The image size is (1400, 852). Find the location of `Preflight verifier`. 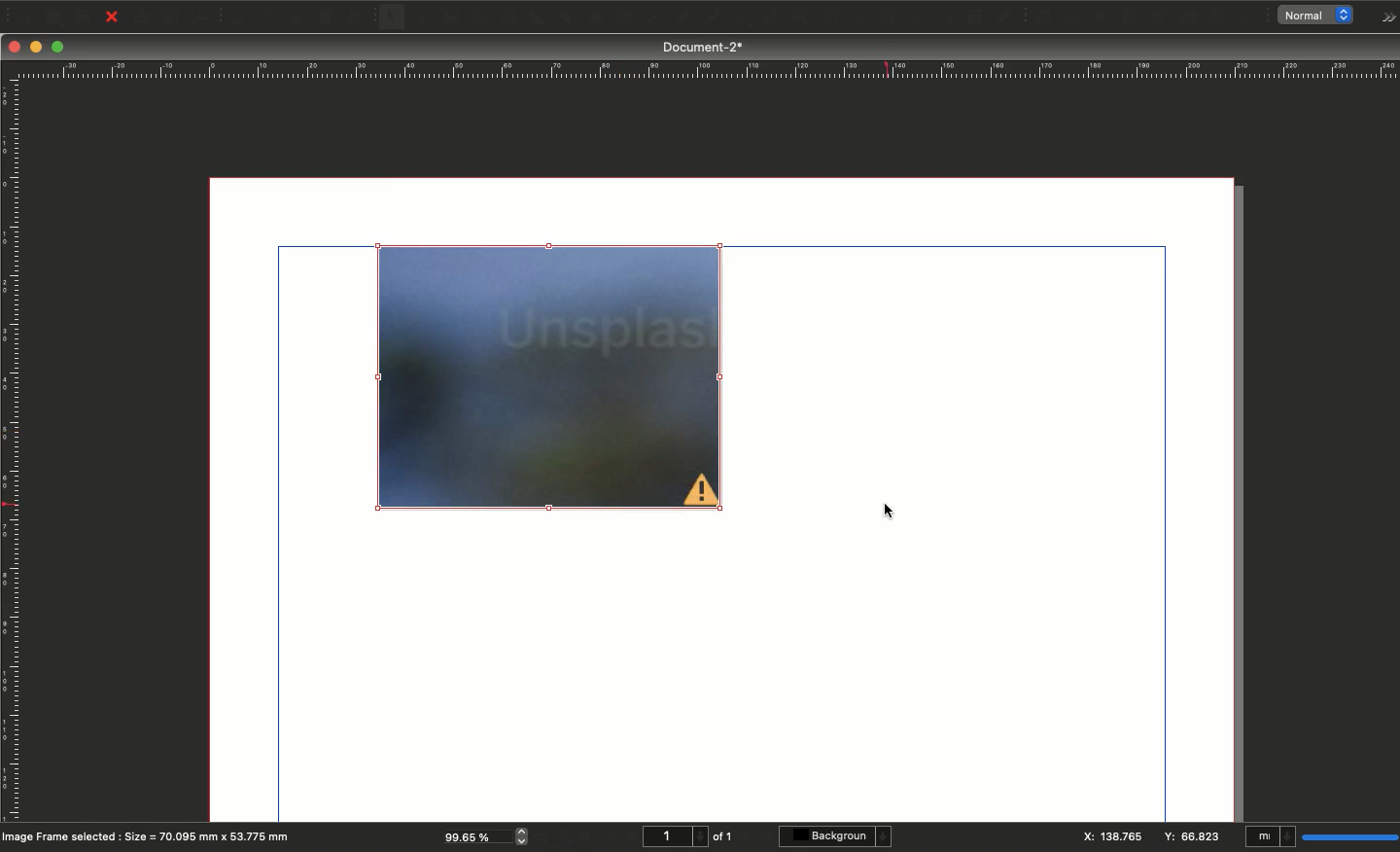

Preflight verifier is located at coordinates (172, 20).